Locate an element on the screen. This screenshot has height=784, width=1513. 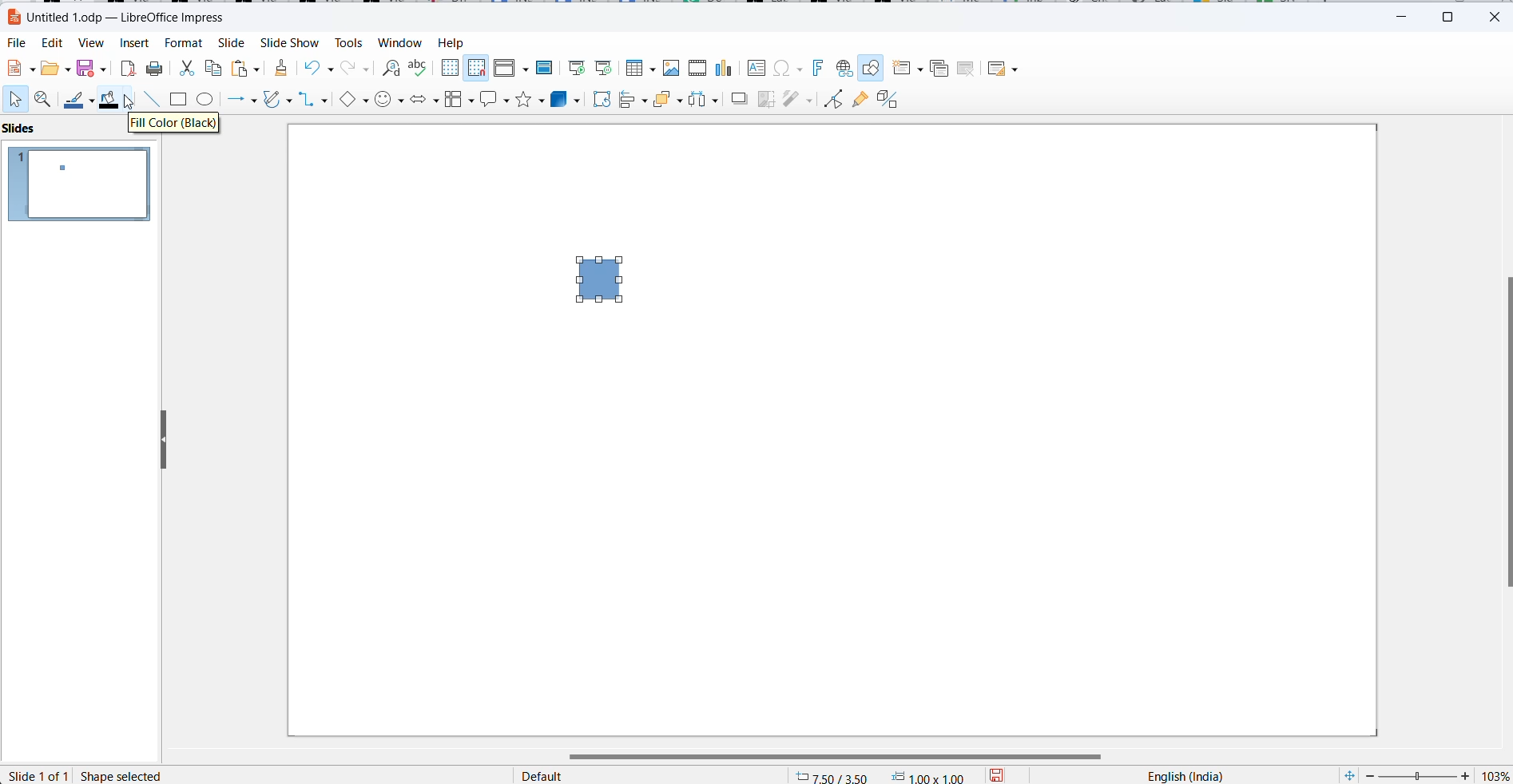
line is located at coordinates (78, 102).